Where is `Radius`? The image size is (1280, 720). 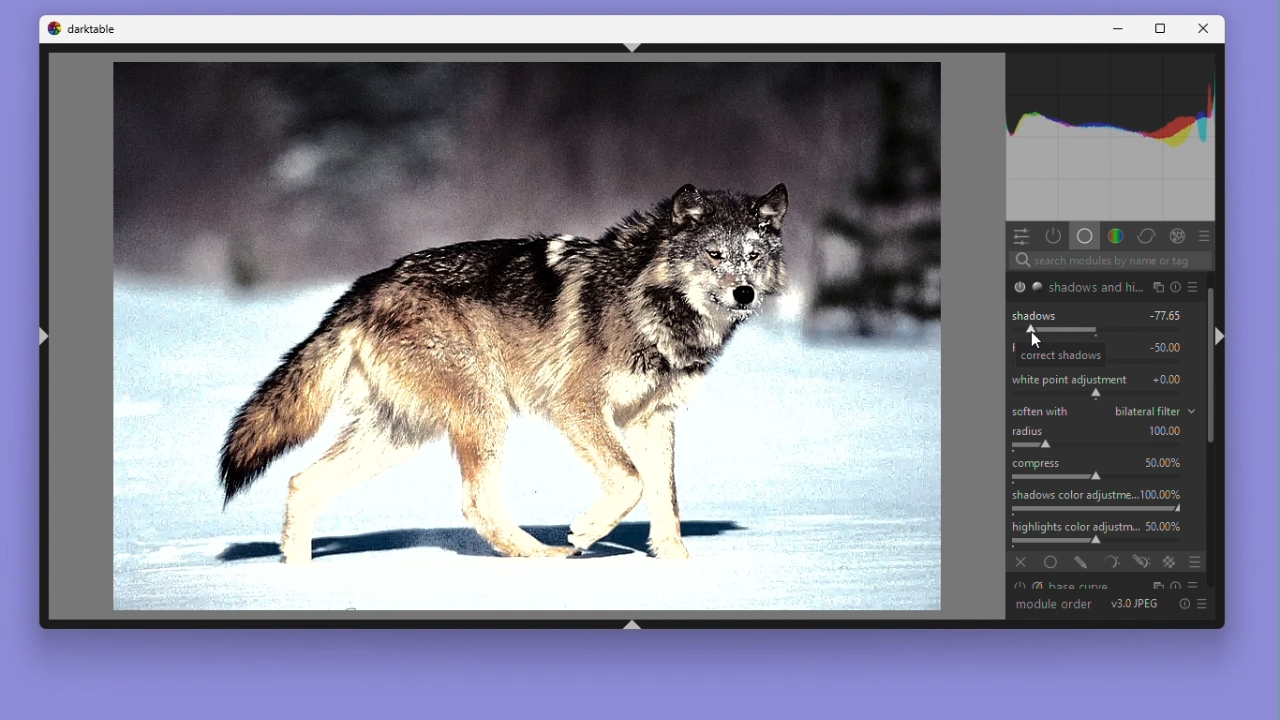
Radius is located at coordinates (1029, 431).